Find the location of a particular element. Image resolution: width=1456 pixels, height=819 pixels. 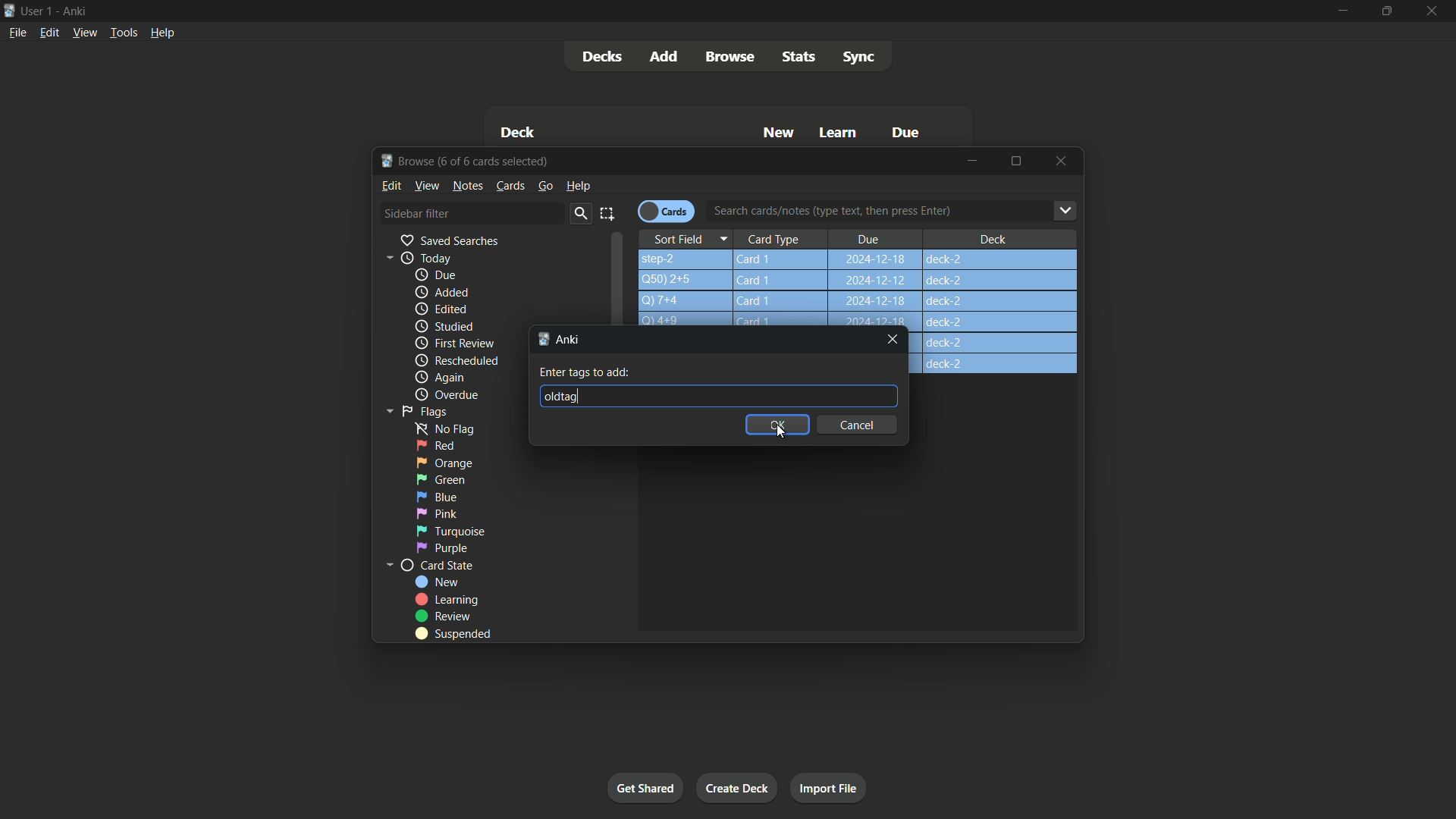

Maximize is located at coordinates (1385, 11).